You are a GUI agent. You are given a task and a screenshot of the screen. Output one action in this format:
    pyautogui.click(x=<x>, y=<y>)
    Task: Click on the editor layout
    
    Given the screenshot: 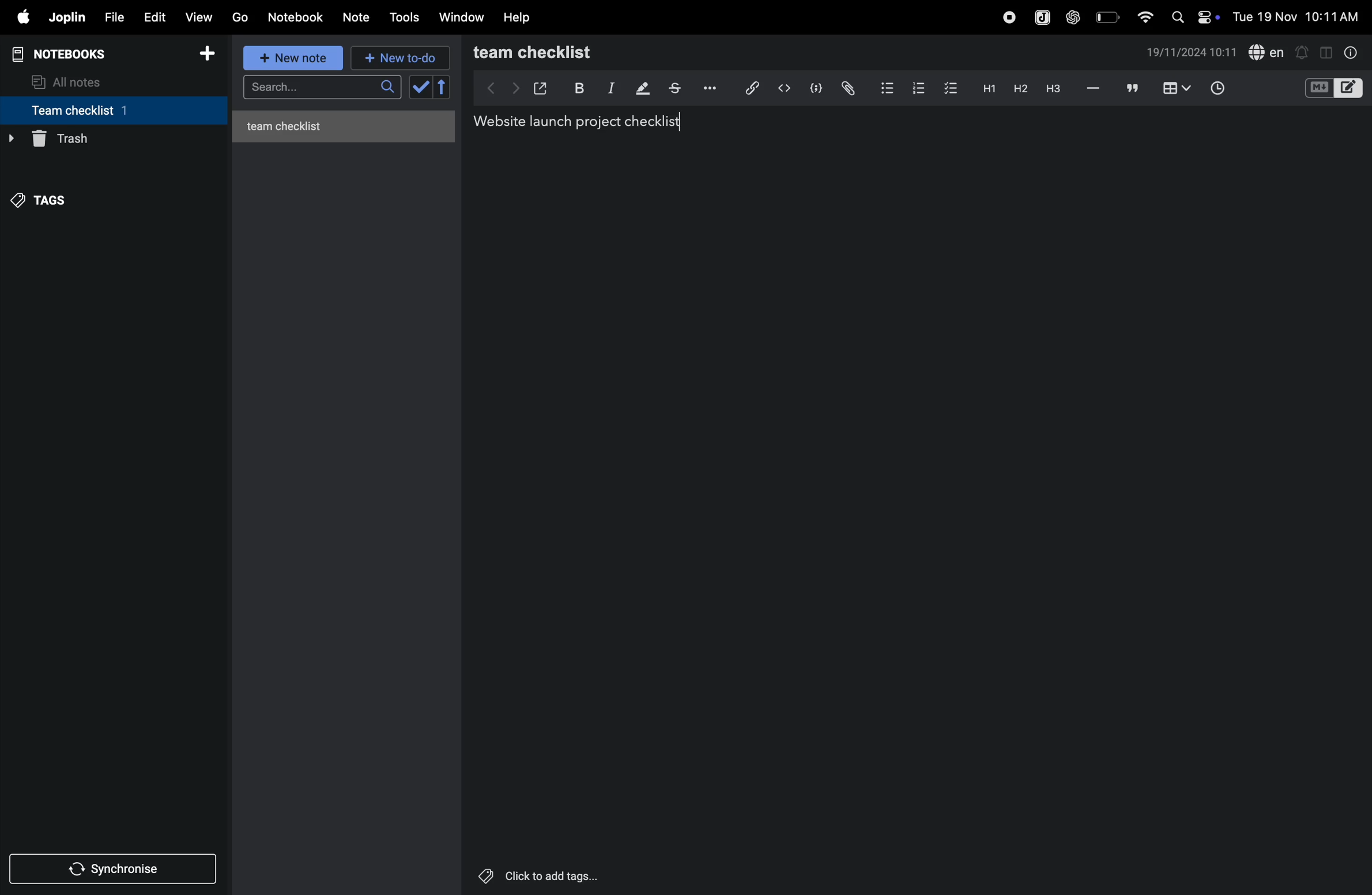 What is the action you would take?
    pyautogui.click(x=1350, y=87)
    